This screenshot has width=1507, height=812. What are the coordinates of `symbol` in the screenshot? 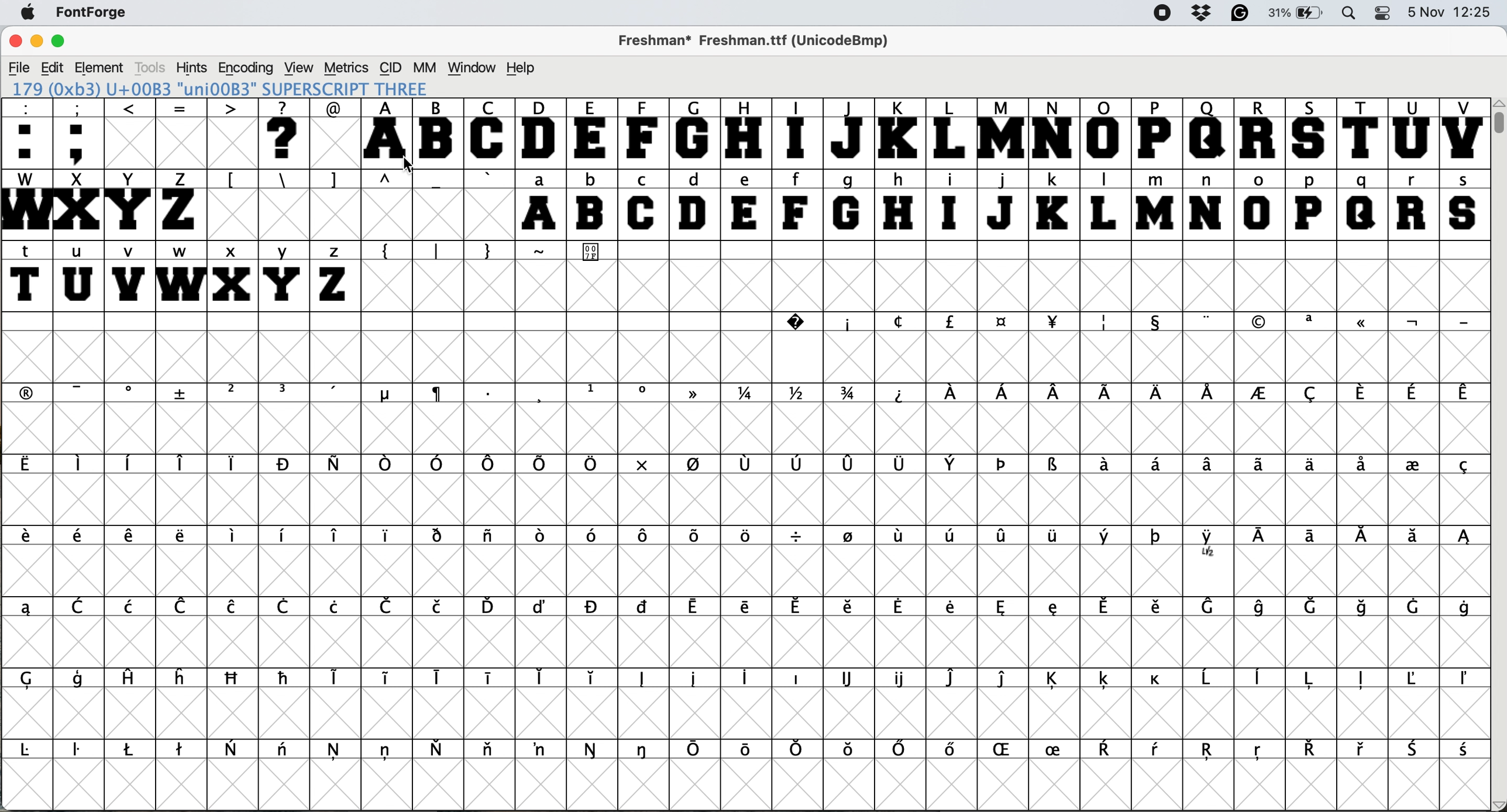 It's located at (1106, 322).